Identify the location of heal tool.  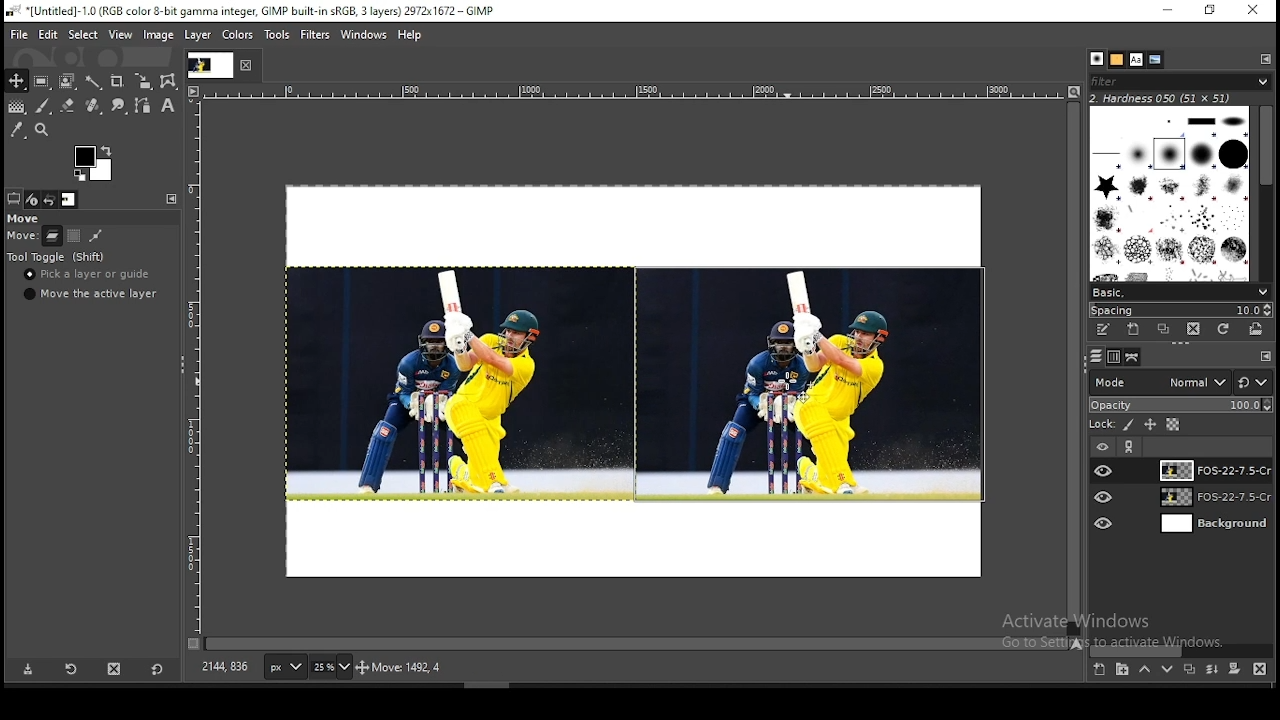
(91, 107).